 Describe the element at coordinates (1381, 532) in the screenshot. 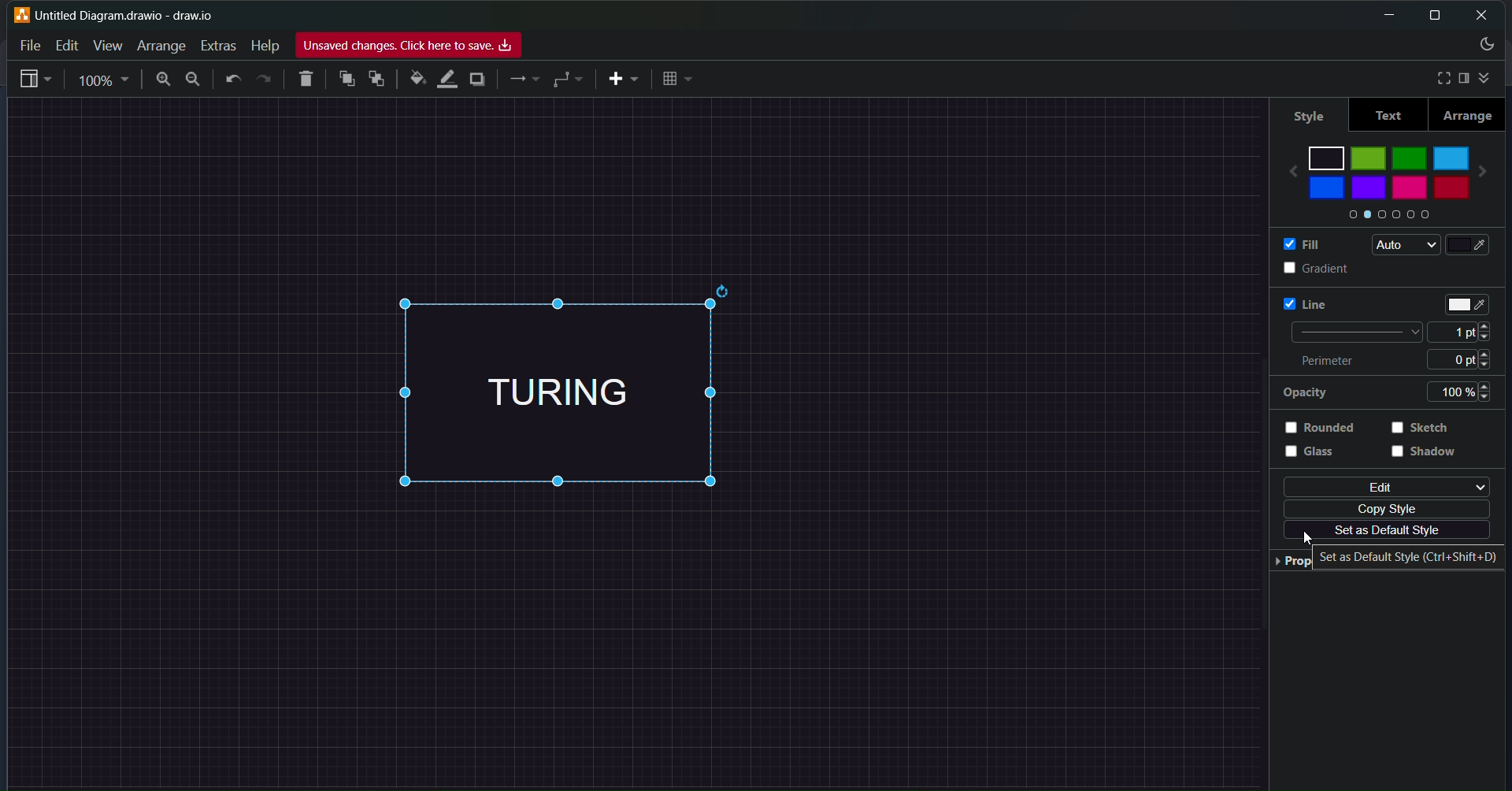

I see `set as default style` at that location.